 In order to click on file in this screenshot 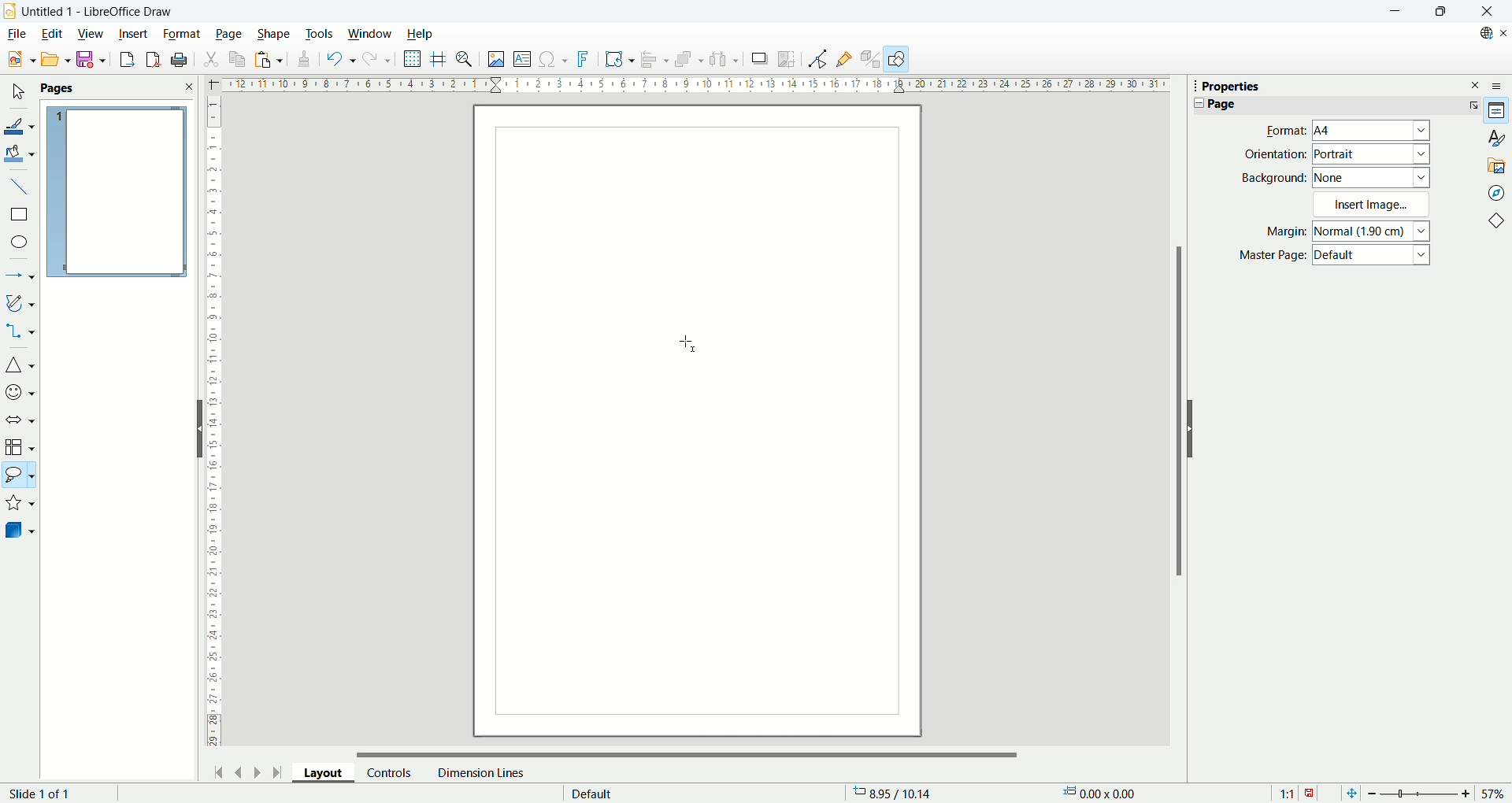, I will do `click(16, 34)`.